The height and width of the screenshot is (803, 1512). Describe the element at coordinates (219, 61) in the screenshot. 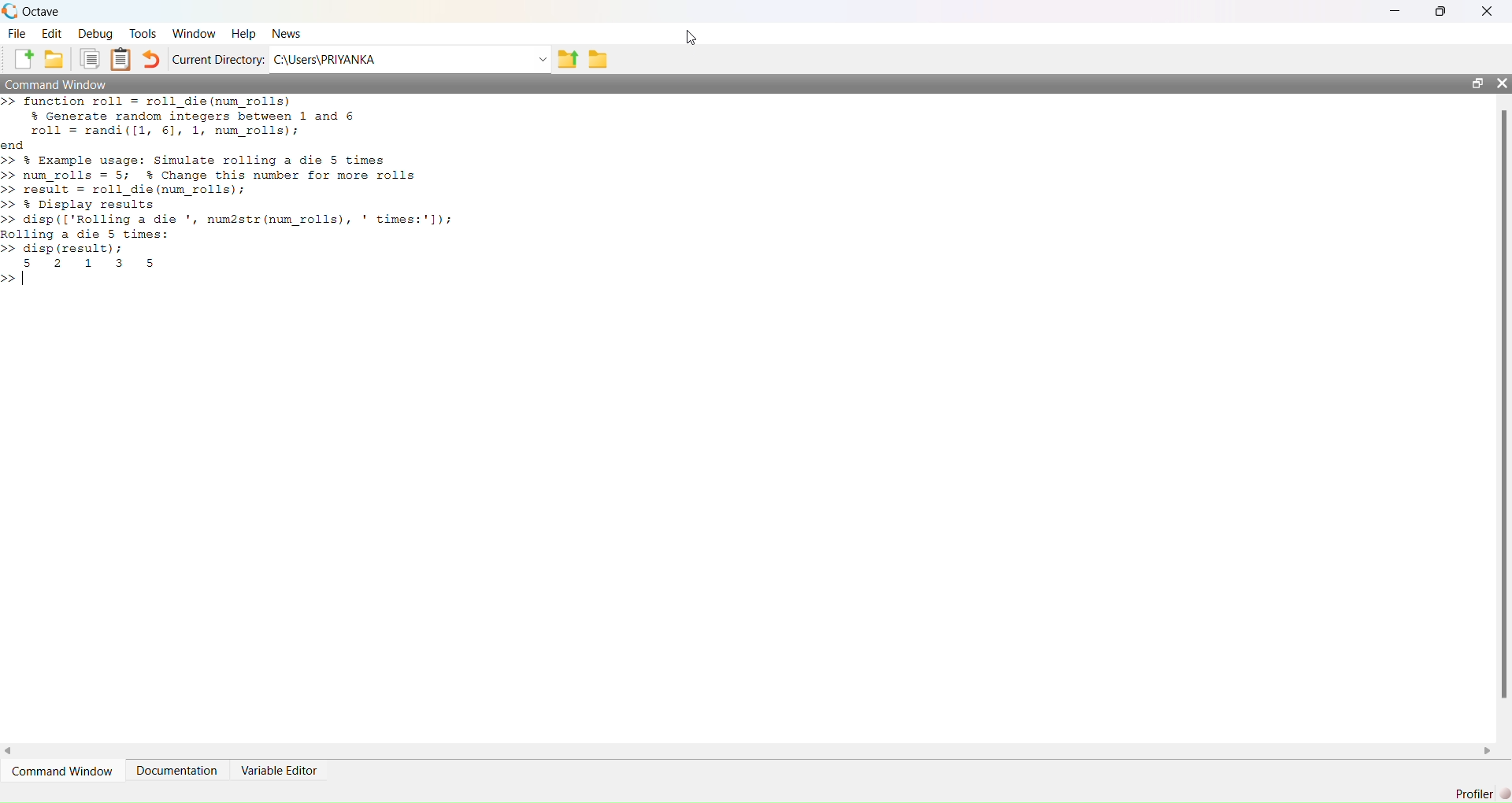

I see `Current Directory:` at that location.